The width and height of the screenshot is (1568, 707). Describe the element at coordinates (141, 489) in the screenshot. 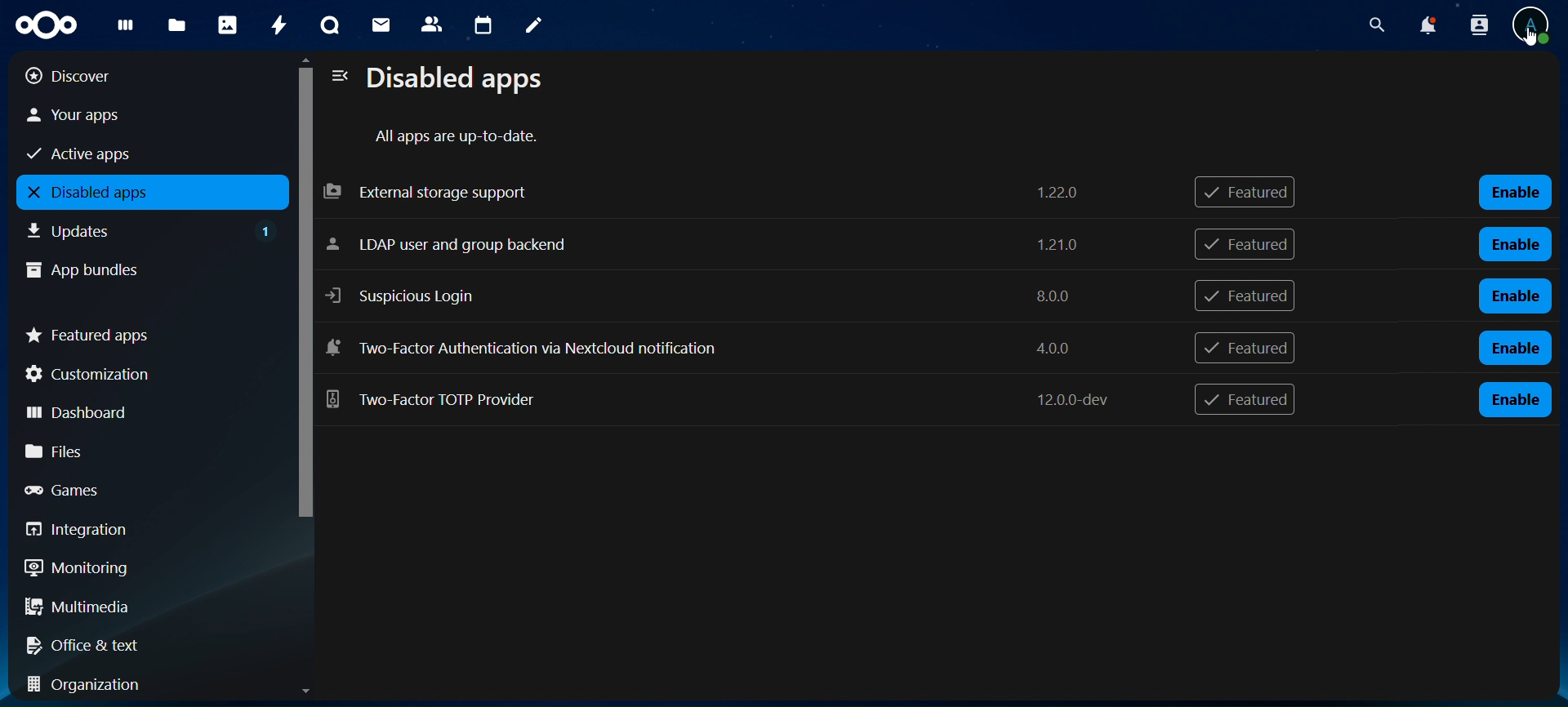

I see `games` at that location.